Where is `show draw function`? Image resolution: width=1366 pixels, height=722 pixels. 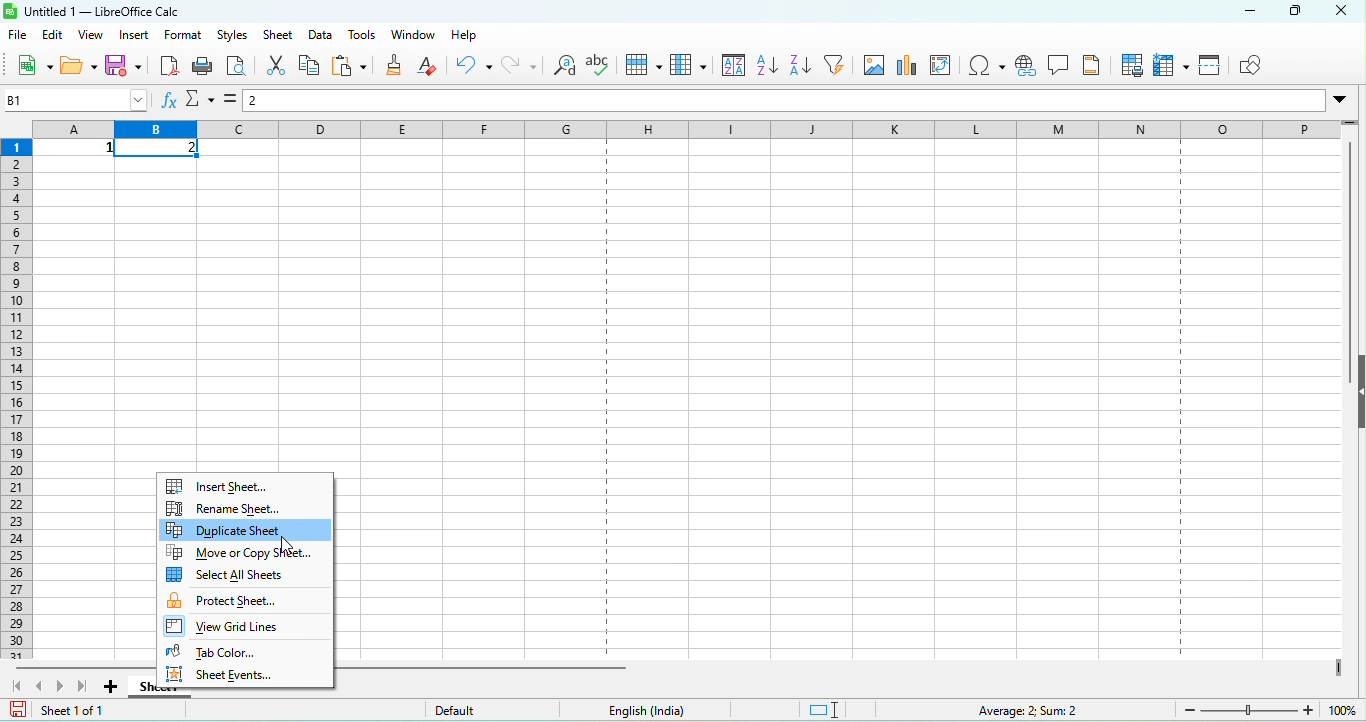 show draw function is located at coordinates (1257, 65).